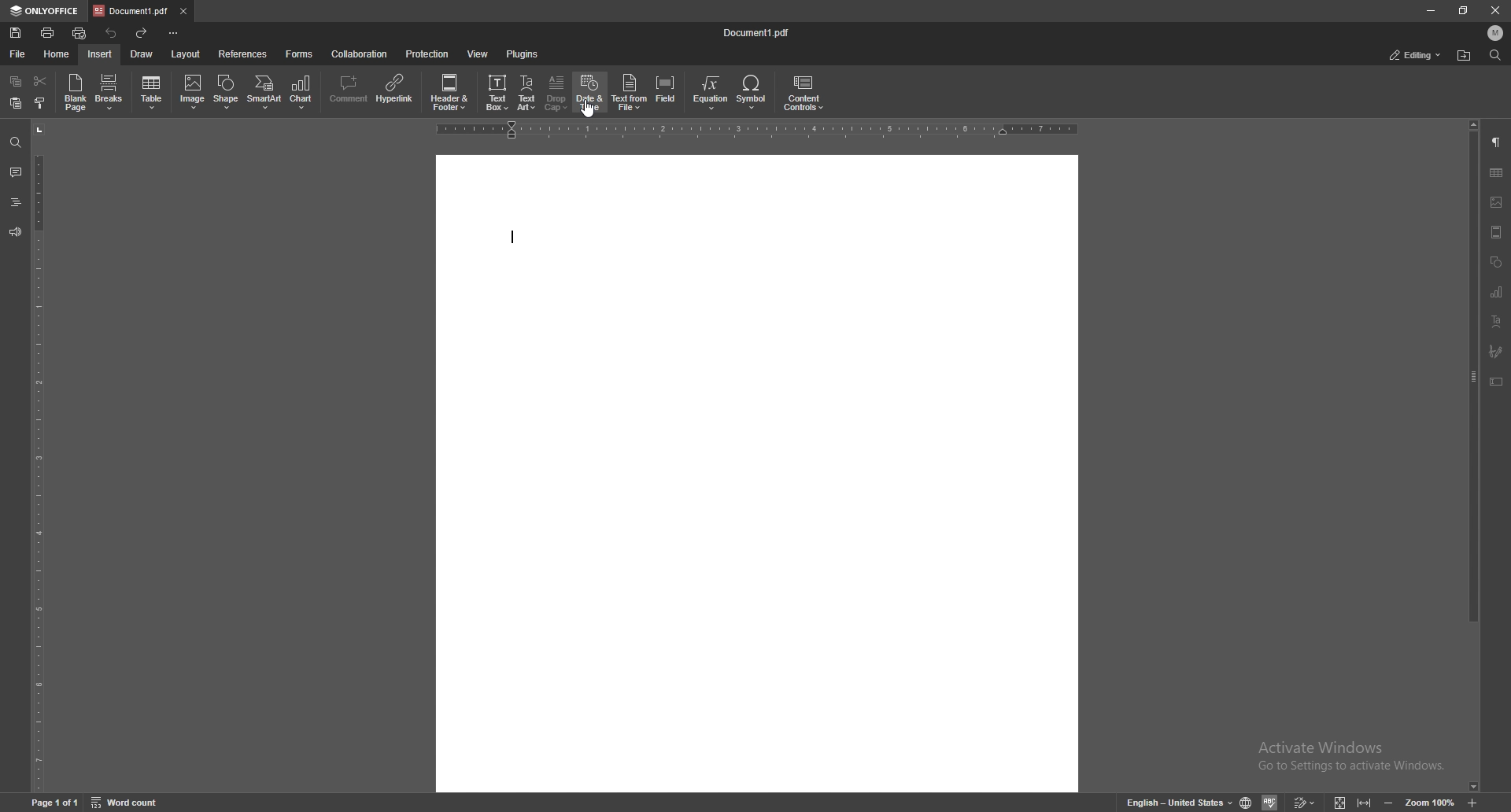  What do you see at coordinates (1389, 800) in the screenshot?
I see `zoom out` at bounding box center [1389, 800].